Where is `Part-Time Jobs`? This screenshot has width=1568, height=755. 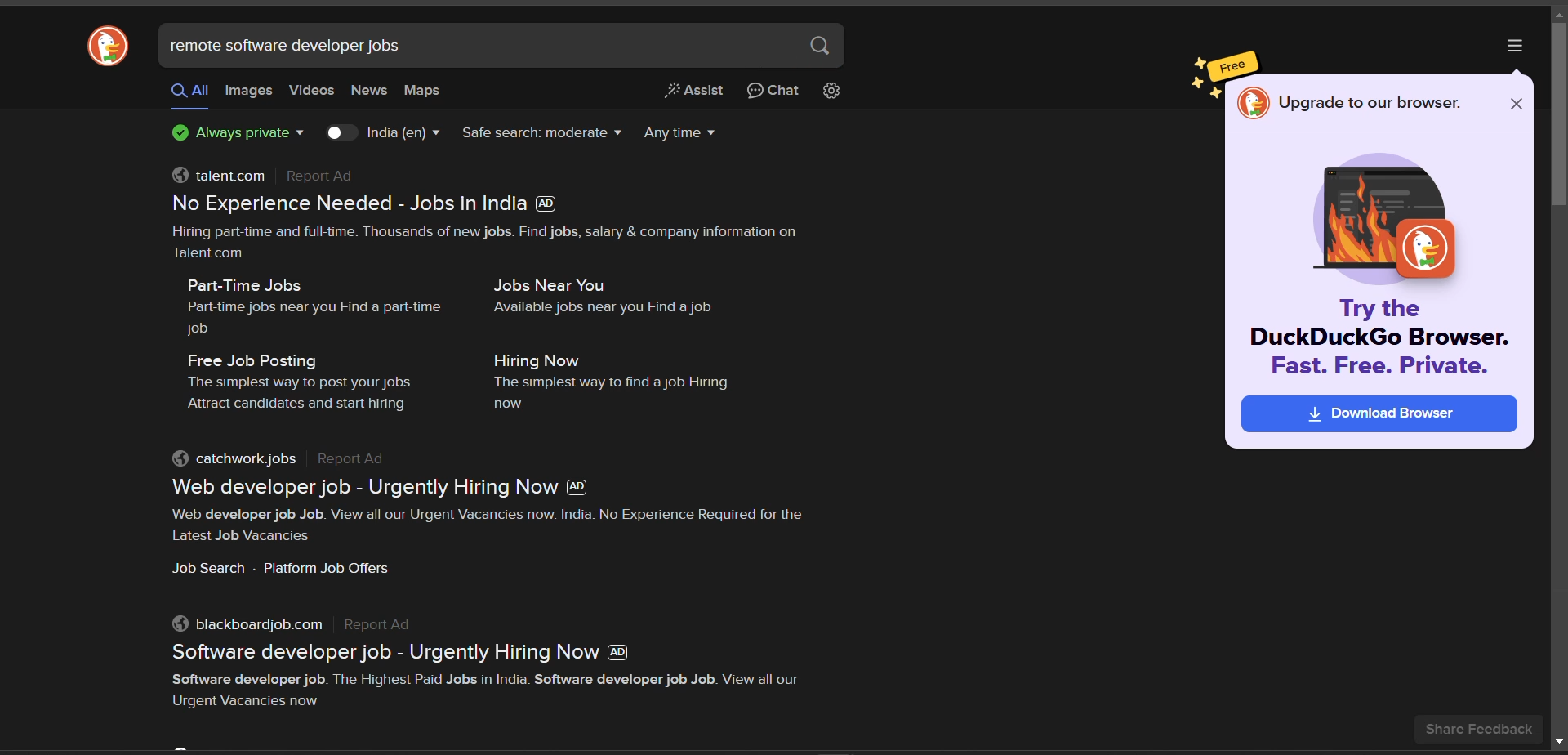 Part-Time Jobs is located at coordinates (253, 286).